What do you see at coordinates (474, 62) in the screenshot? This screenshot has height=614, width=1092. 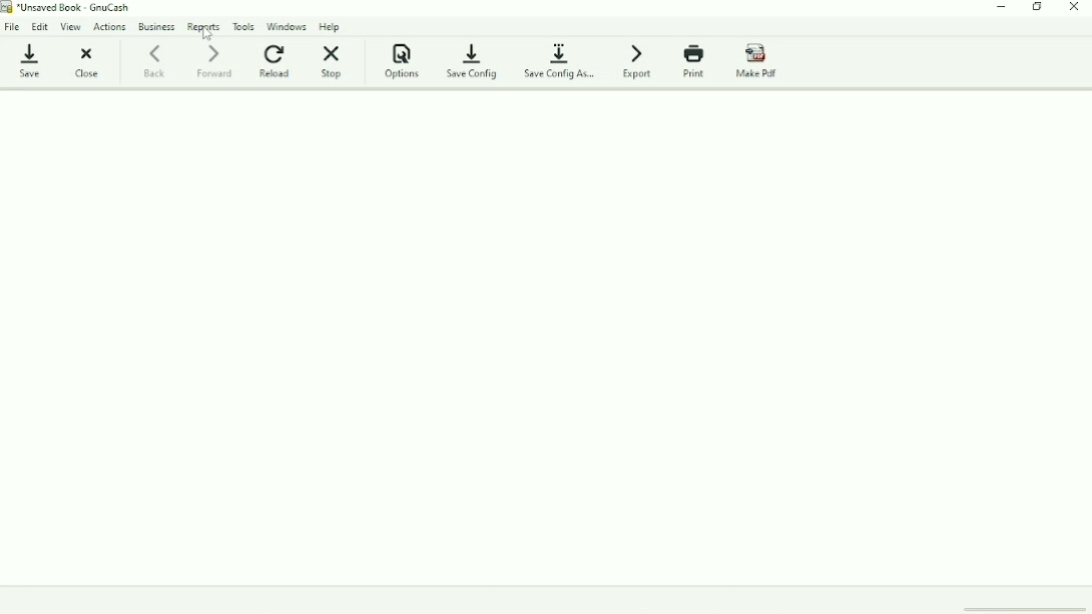 I see `Save Config` at bounding box center [474, 62].